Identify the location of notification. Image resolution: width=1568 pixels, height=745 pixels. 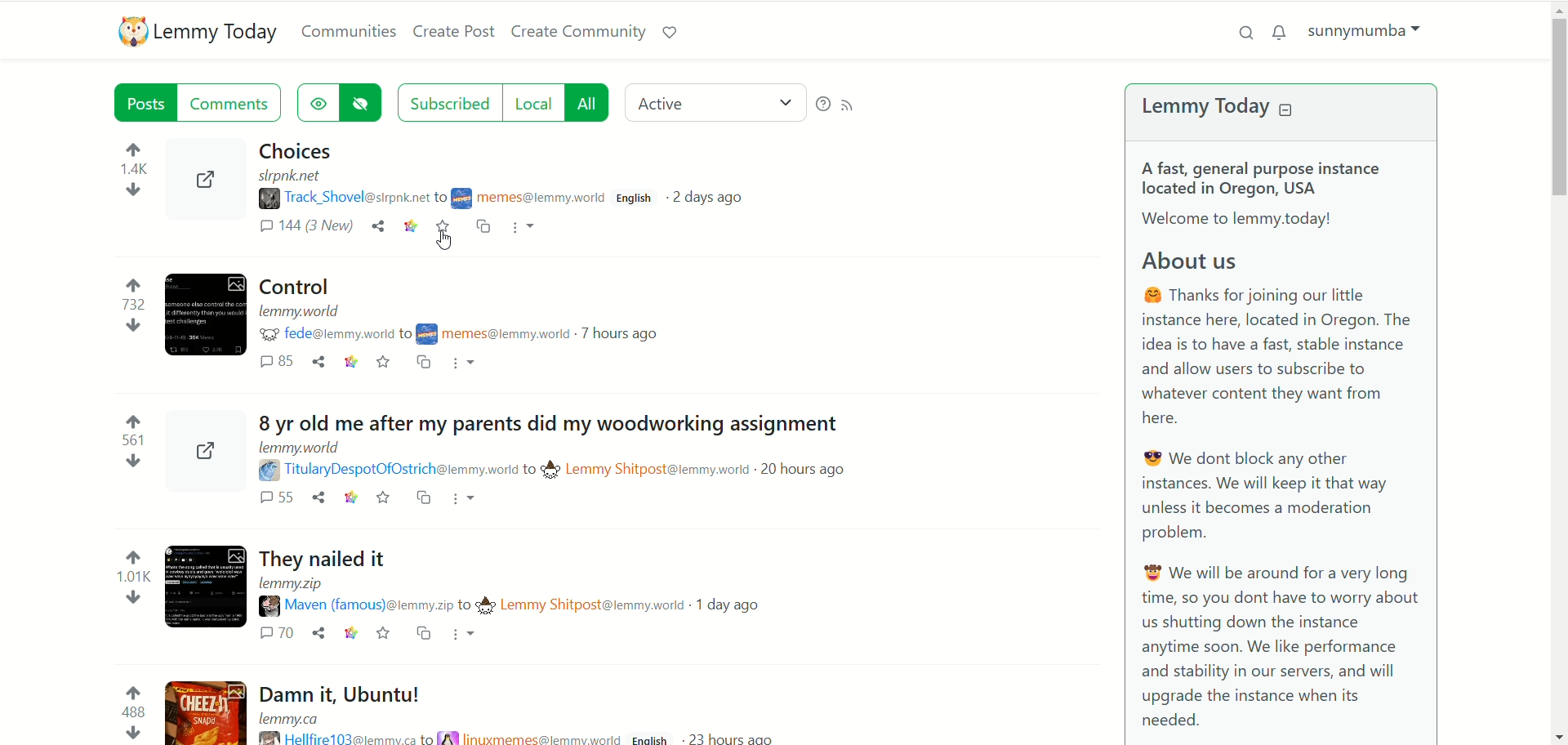
(1283, 31).